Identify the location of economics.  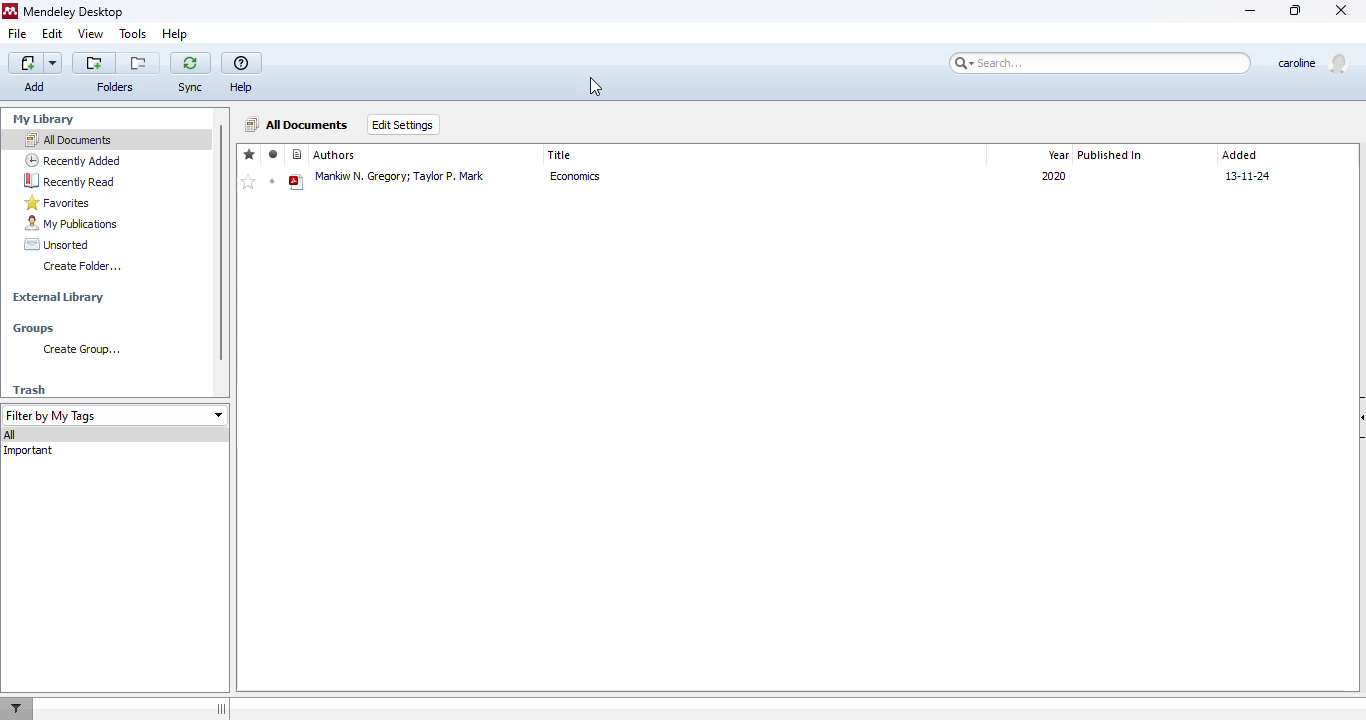
(584, 181).